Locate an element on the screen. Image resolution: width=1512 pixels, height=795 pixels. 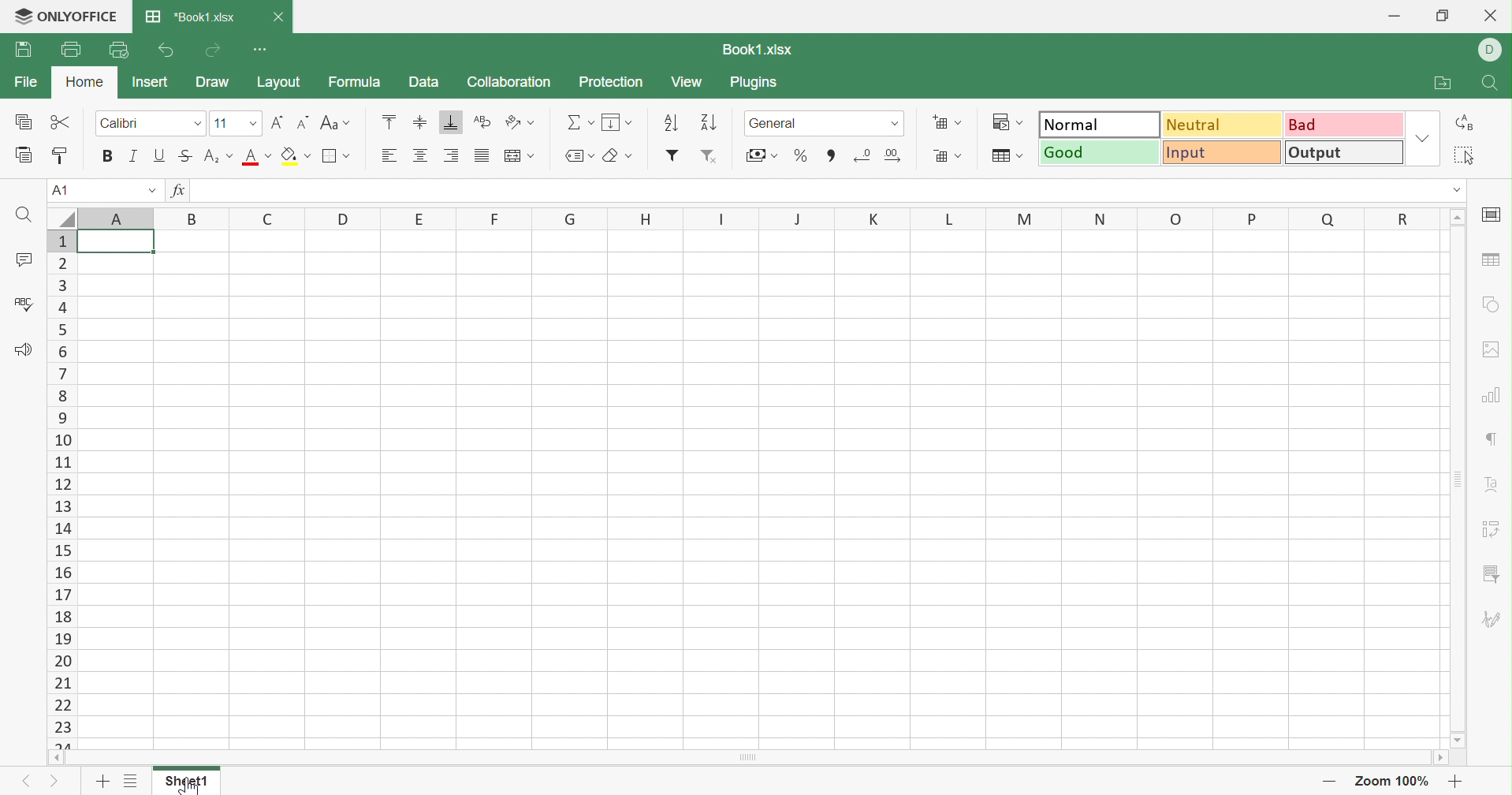
Italic is located at coordinates (133, 155).